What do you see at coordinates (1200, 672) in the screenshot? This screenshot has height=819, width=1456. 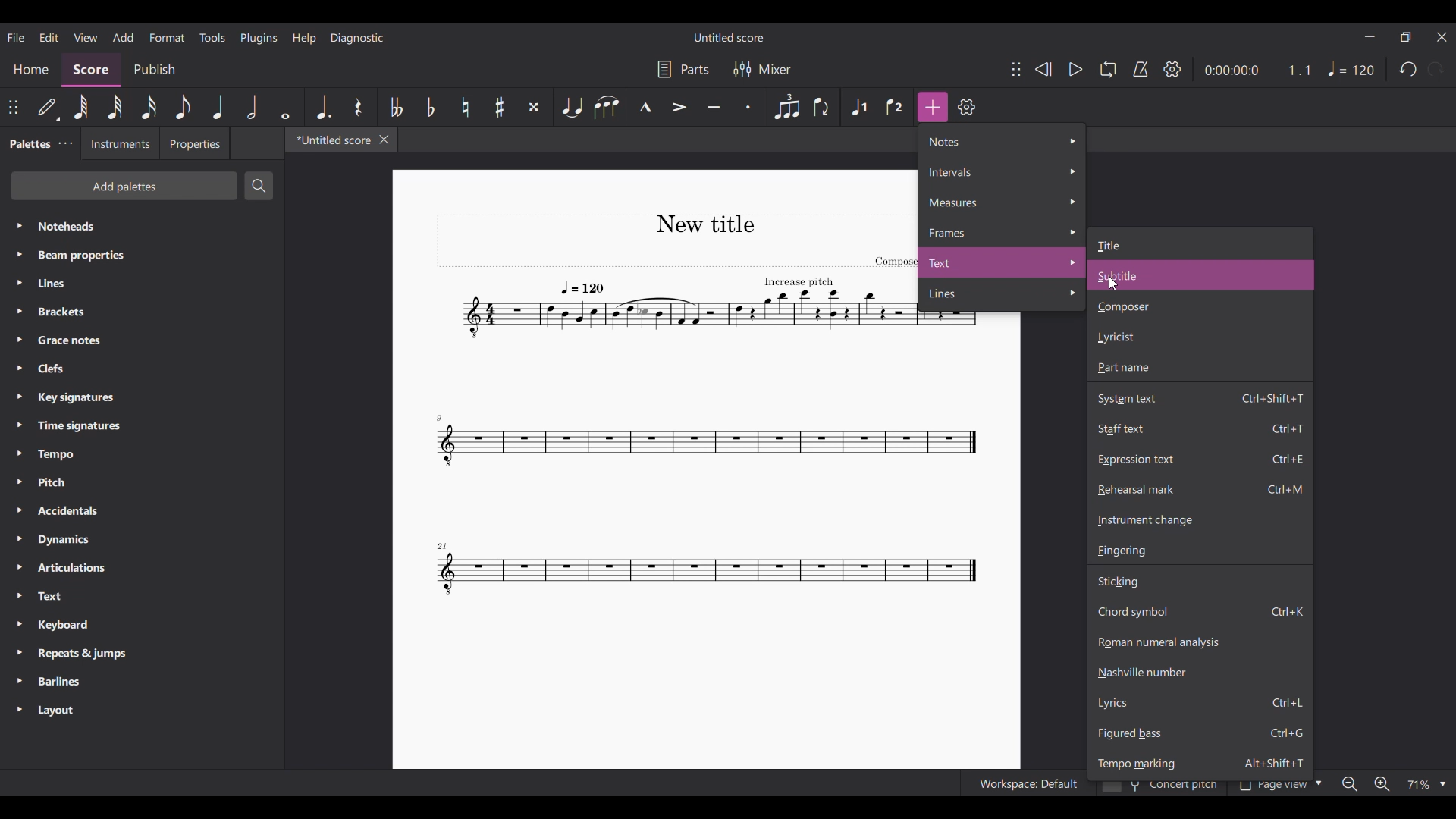 I see `Nashville number` at bounding box center [1200, 672].